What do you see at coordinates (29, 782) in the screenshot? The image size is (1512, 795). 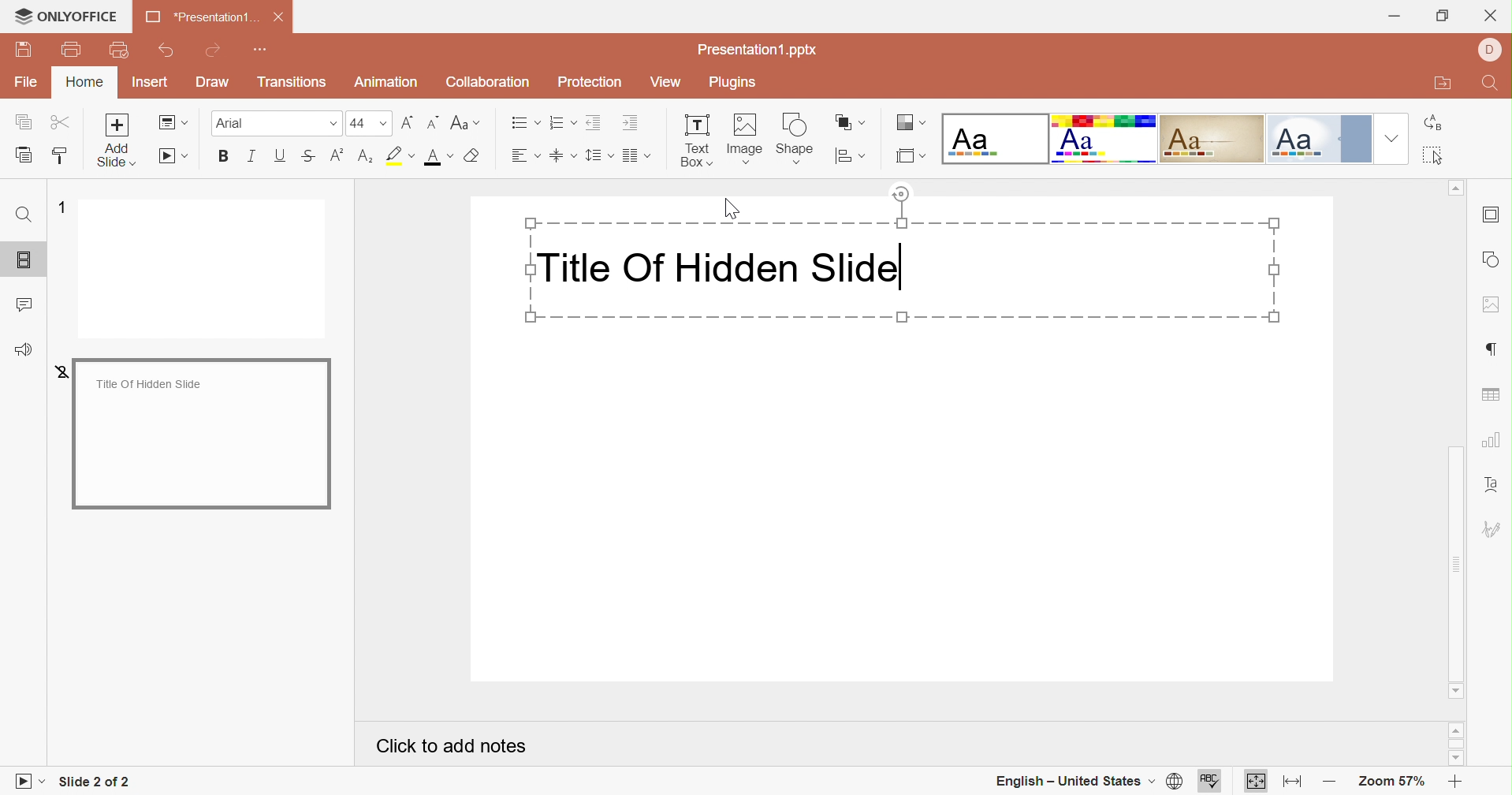 I see `Start slideshow` at bounding box center [29, 782].